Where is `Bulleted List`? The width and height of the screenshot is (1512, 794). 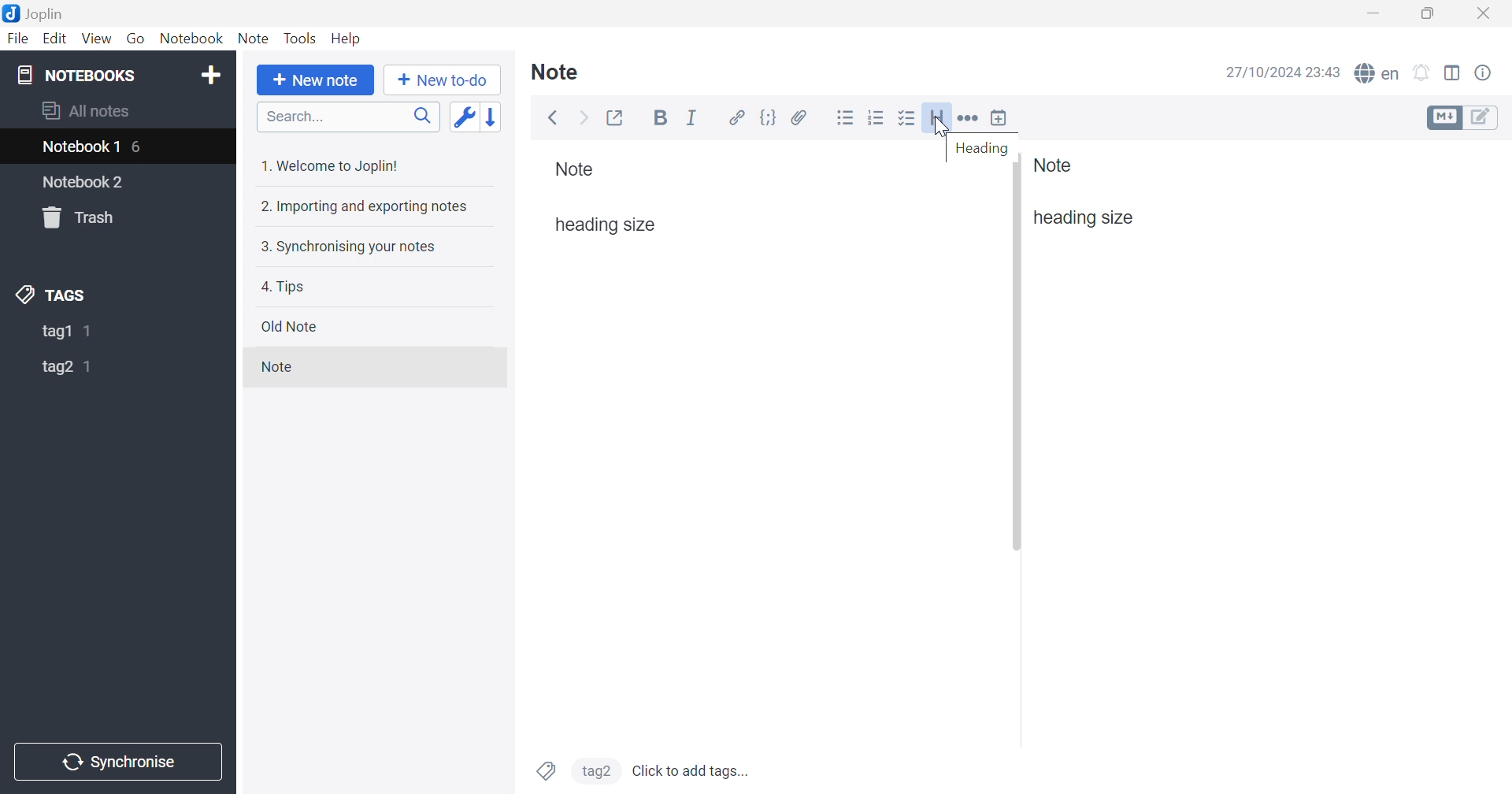 Bulleted List is located at coordinates (845, 118).